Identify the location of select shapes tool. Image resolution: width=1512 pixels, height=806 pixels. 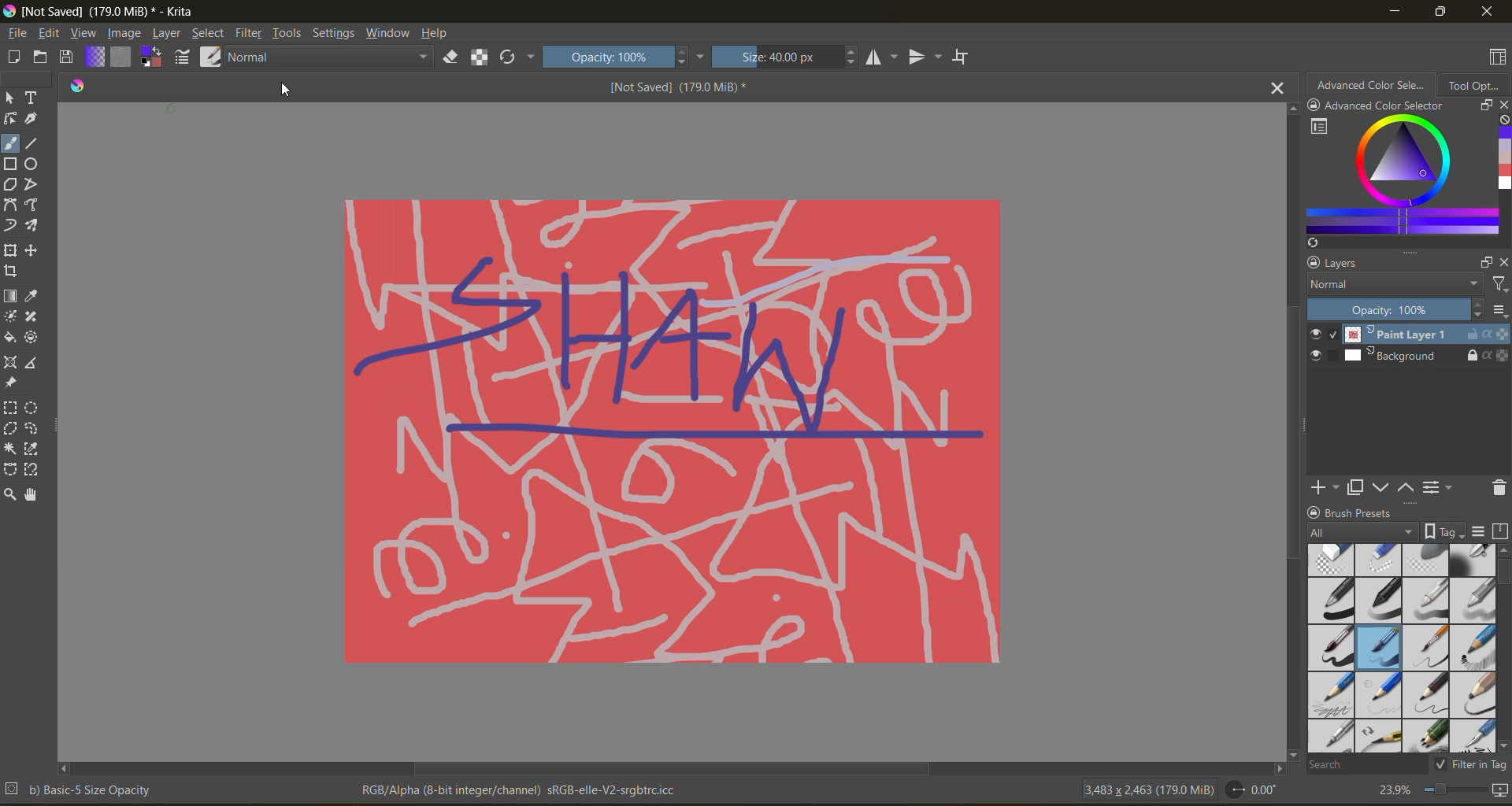
(10, 98).